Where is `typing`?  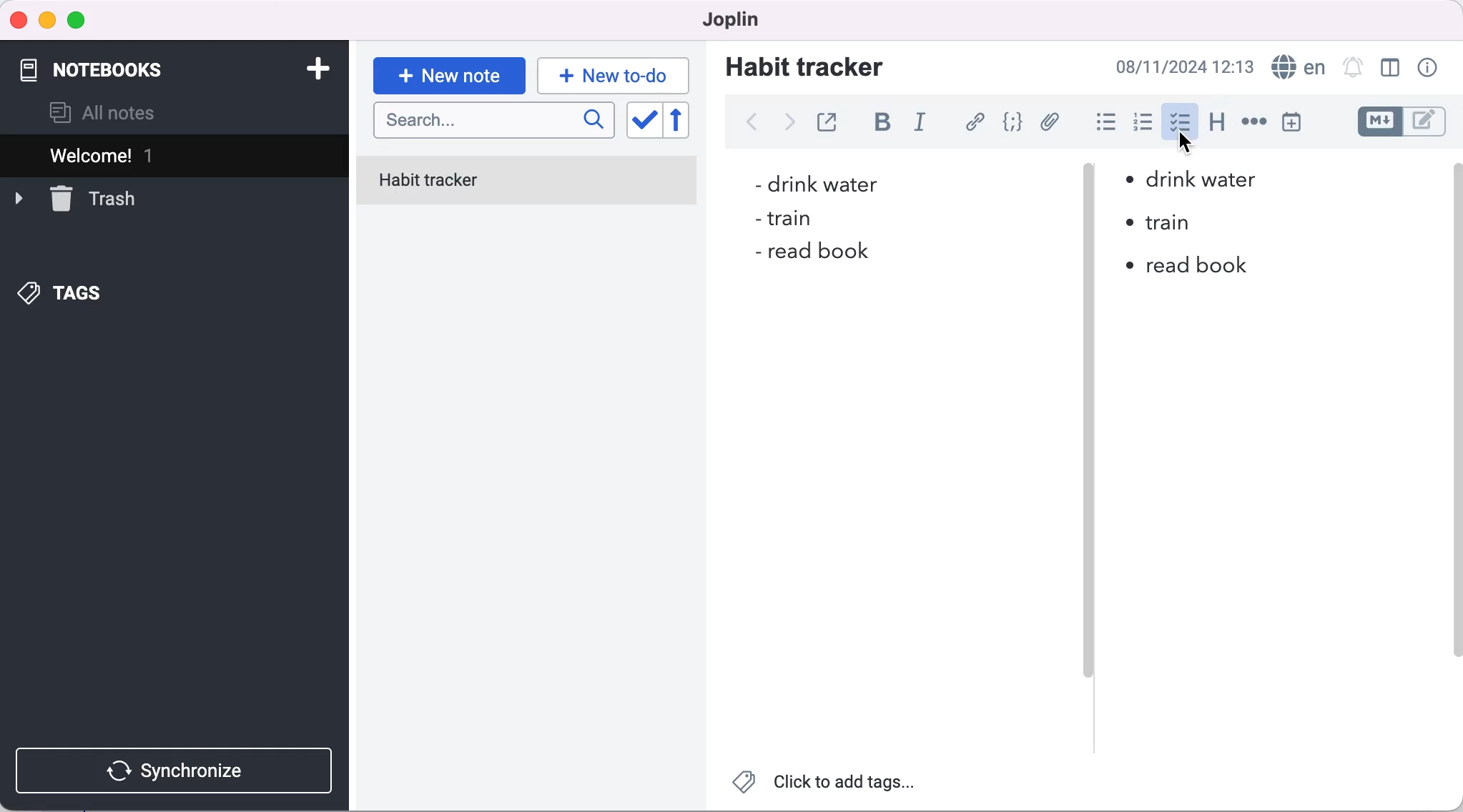
typing is located at coordinates (614, 75).